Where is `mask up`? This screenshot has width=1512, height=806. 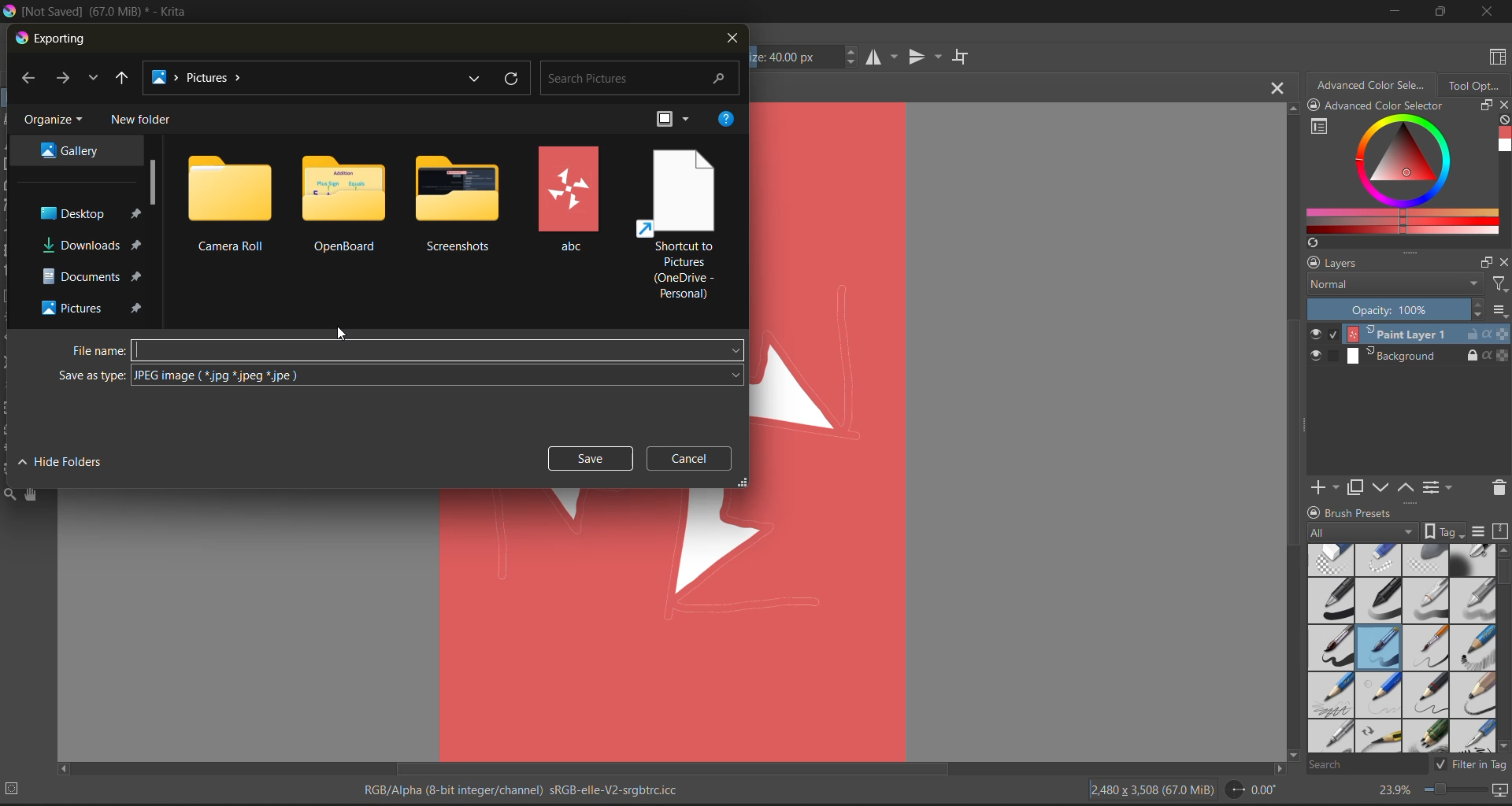 mask up is located at coordinates (1408, 486).